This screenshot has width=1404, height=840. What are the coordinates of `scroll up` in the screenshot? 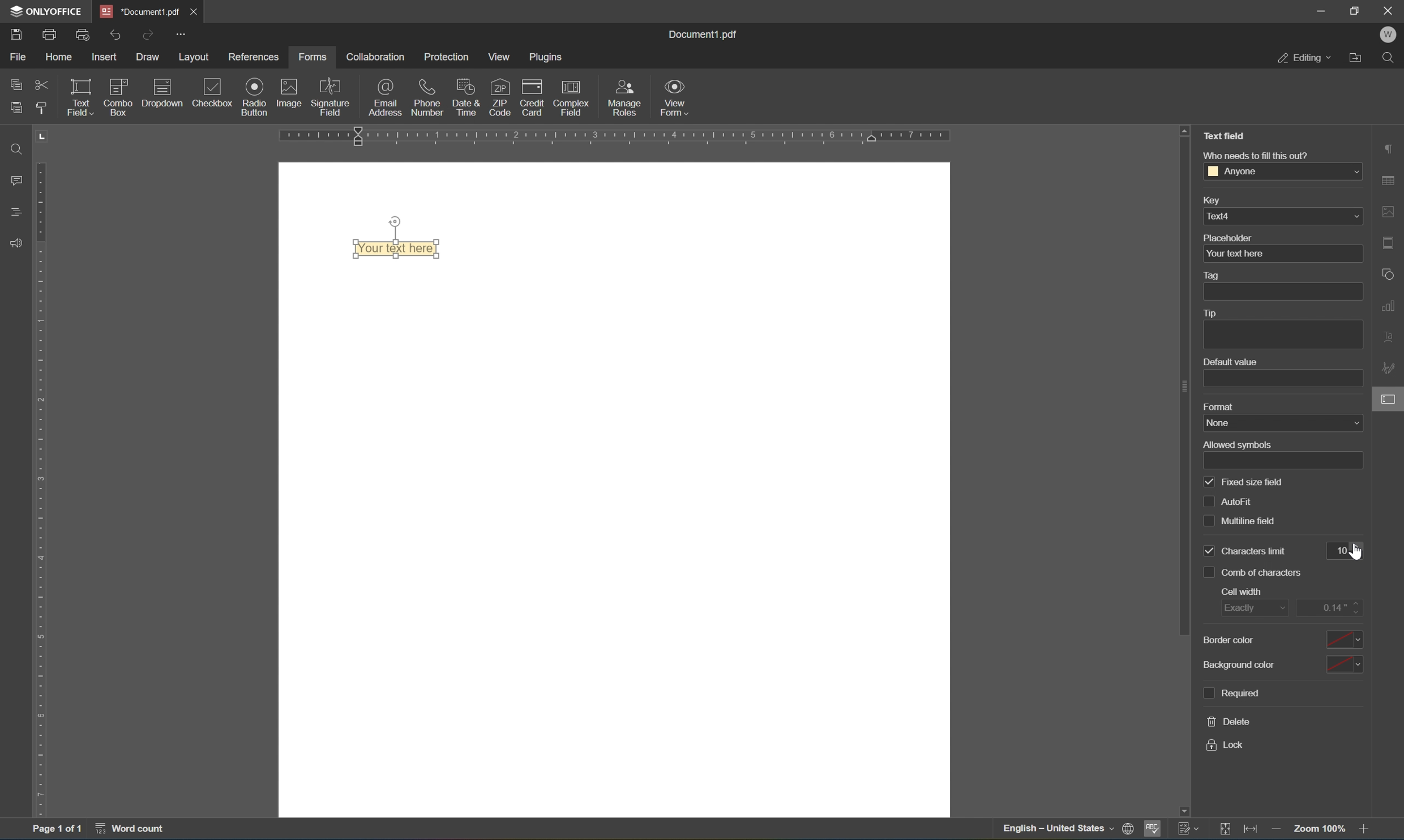 It's located at (1187, 130).